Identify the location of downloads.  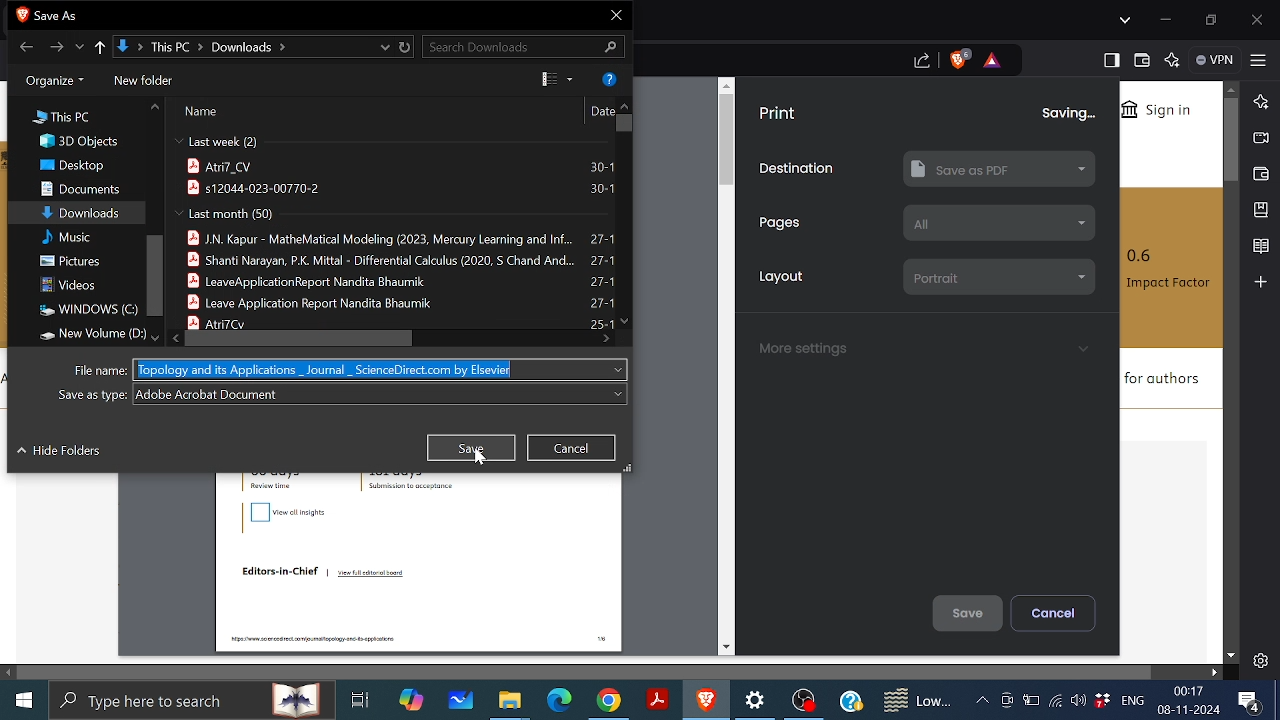
(253, 48).